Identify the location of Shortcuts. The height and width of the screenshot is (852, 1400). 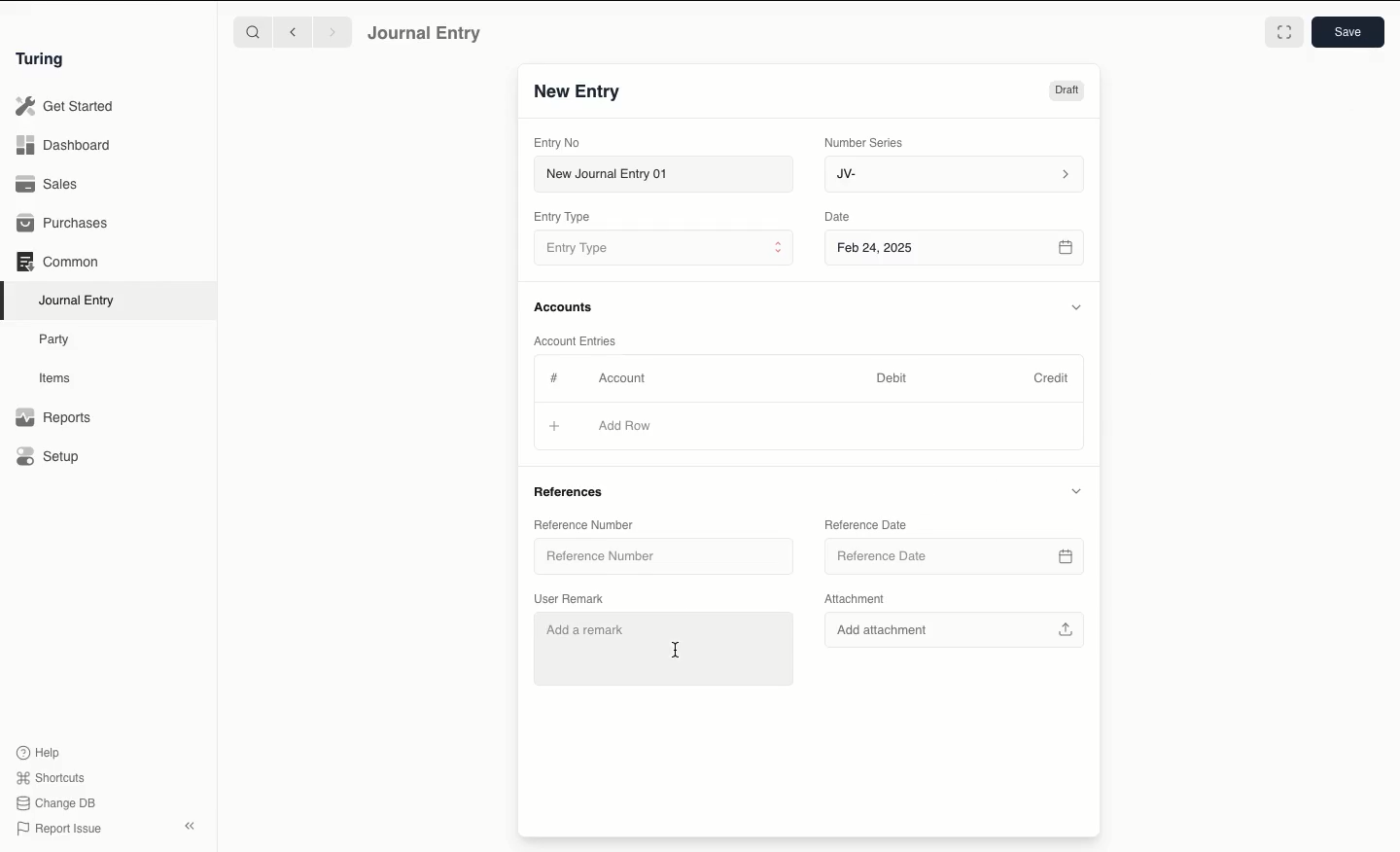
(53, 778).